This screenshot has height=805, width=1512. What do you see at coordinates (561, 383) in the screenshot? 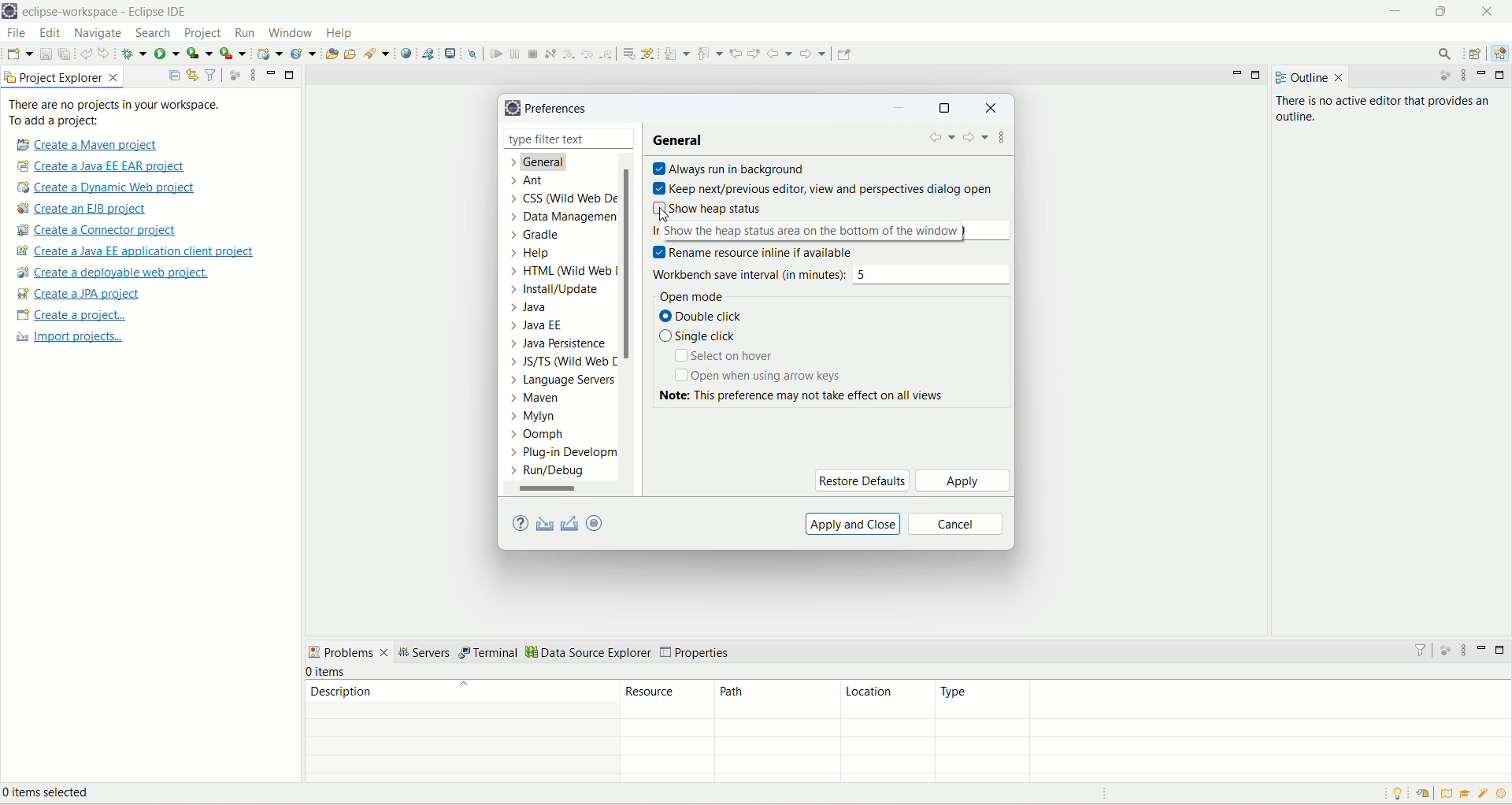
I see `language server` at bounding box center [561, 383].